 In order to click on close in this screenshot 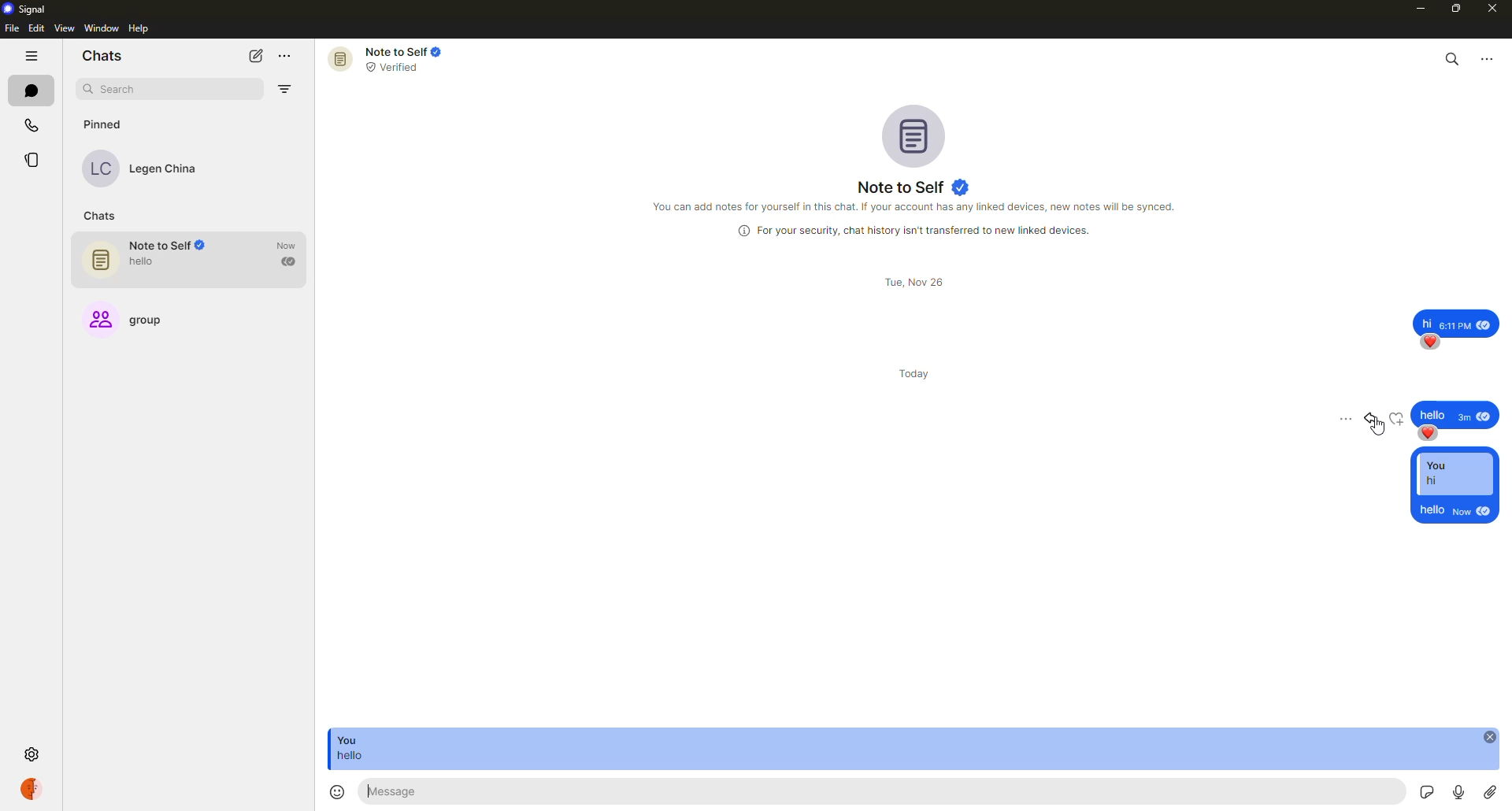, I will do `click(1491, 735)`.